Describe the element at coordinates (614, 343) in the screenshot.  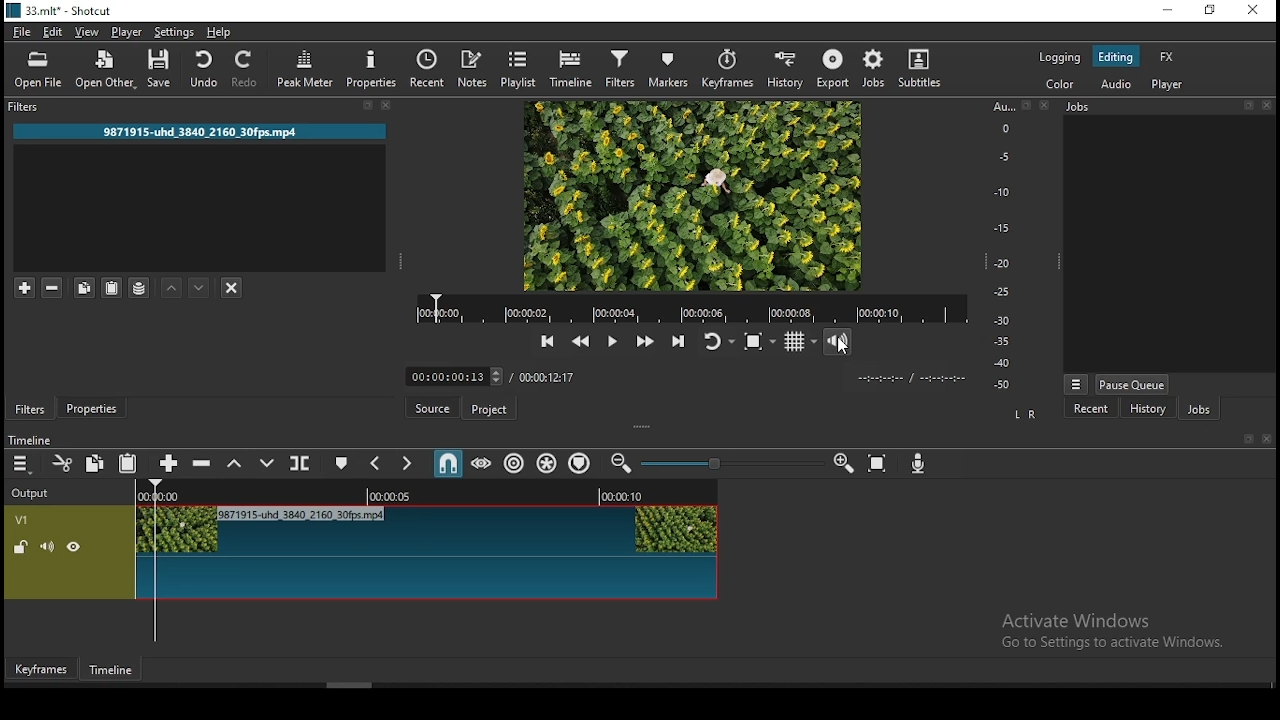
I see `play/pause` at that location.